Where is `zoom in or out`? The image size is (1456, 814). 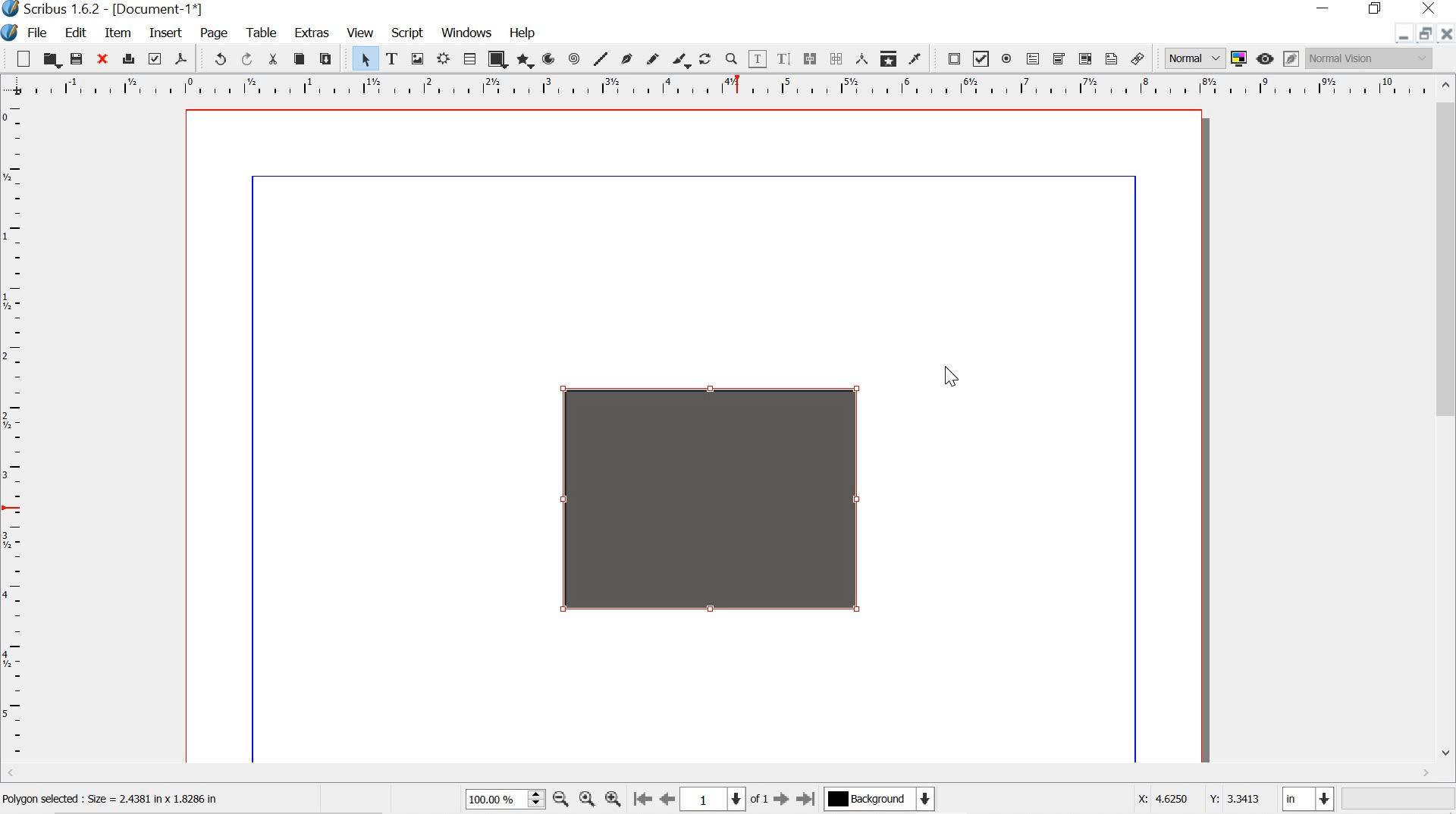 zoom in or out is located at coordinates (733, 59).